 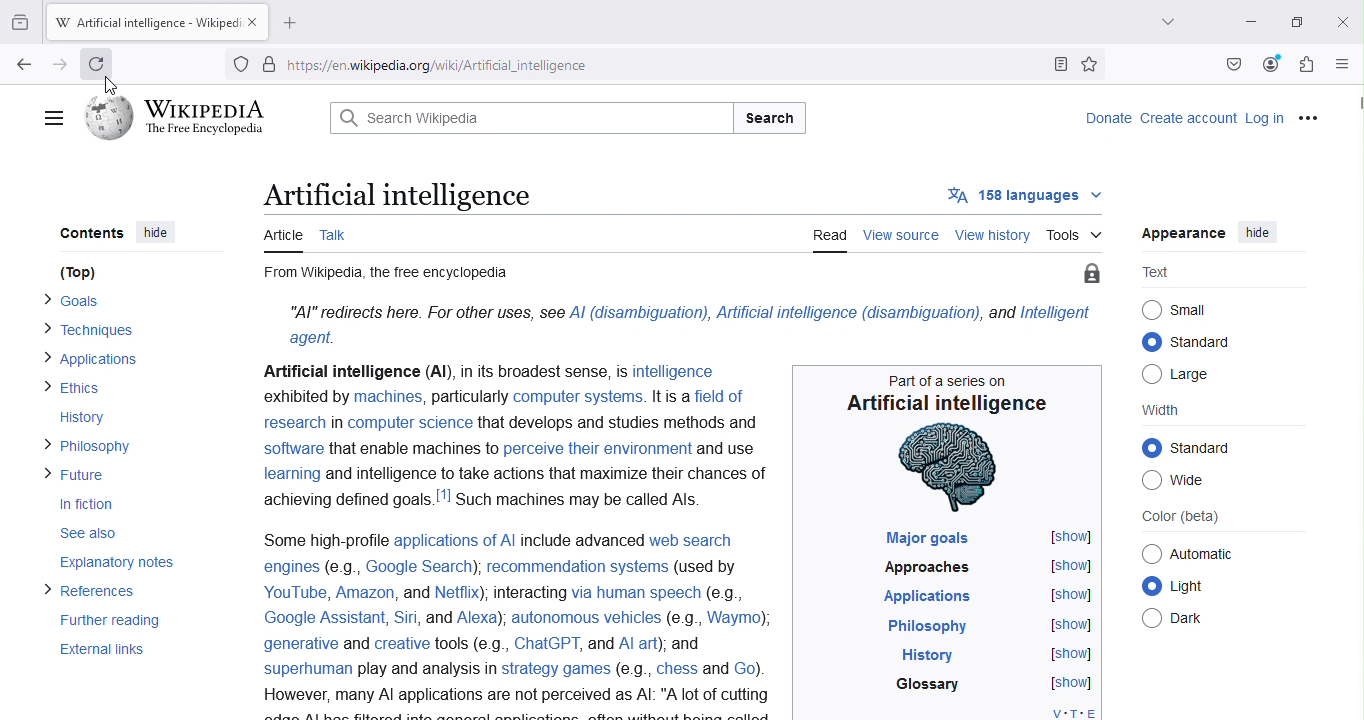 I want to click on Text, so click(x=1159, y=274).